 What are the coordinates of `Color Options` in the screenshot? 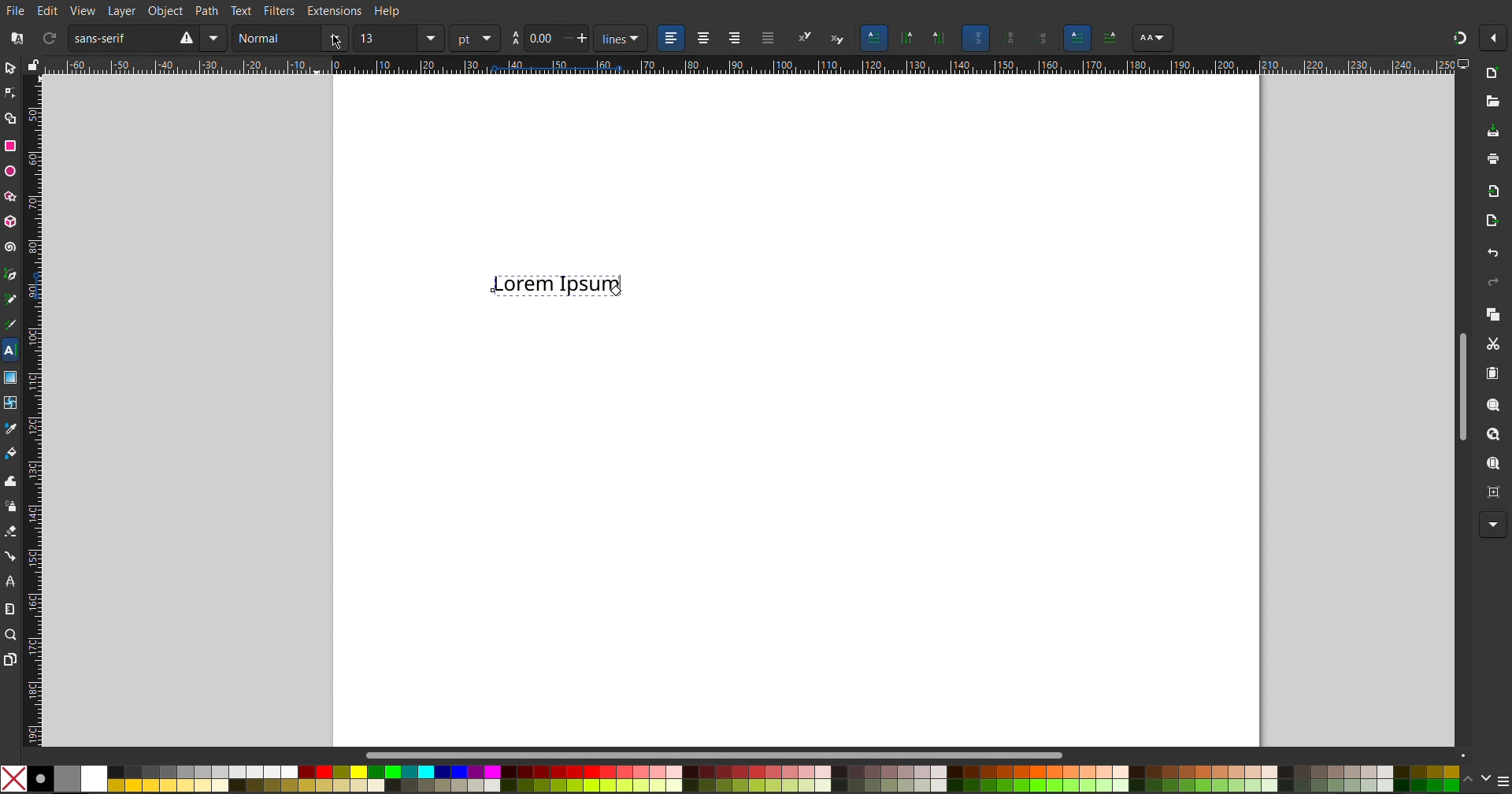 It's located at (1484, 778).